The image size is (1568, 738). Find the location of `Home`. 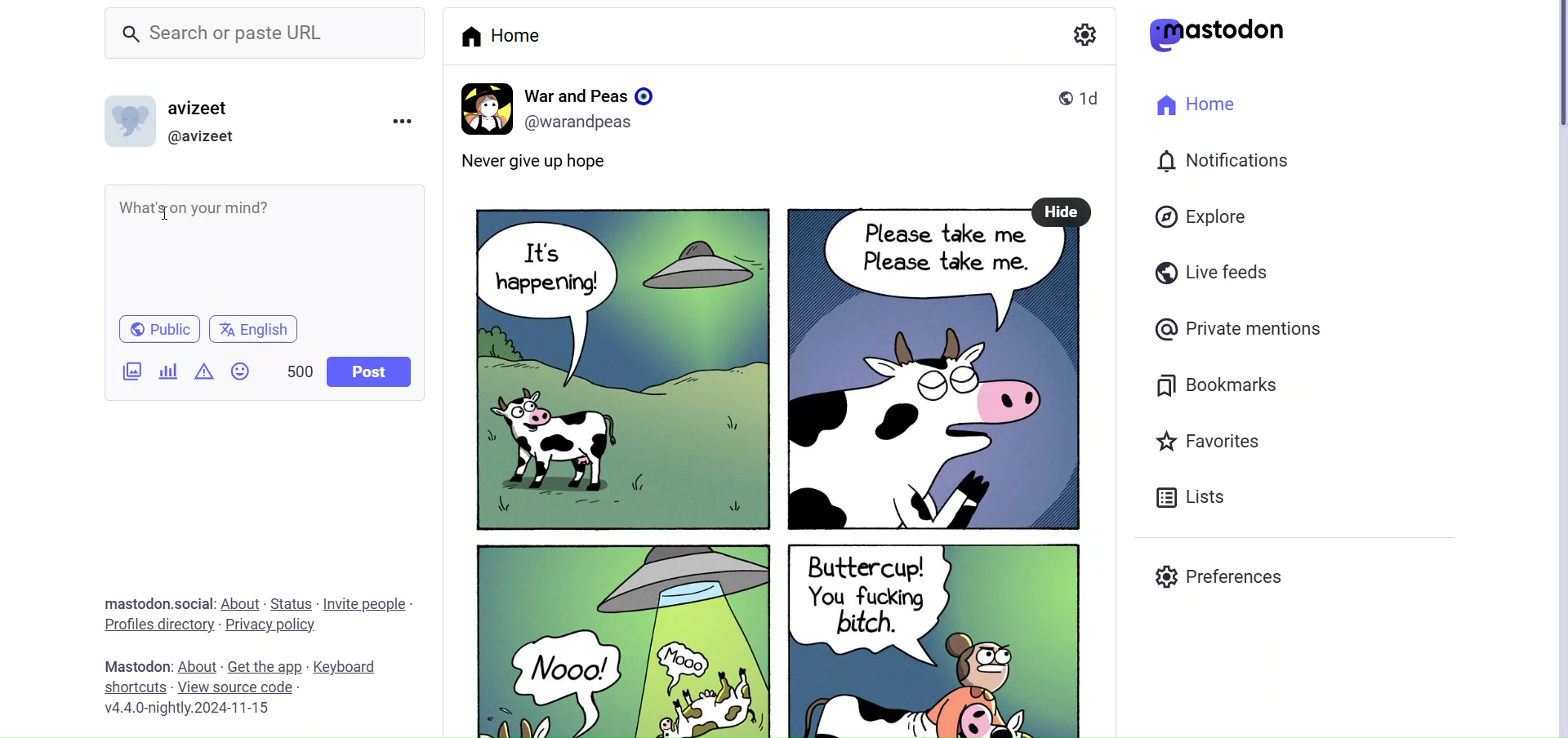

Home is located at coordinates (503, 35).